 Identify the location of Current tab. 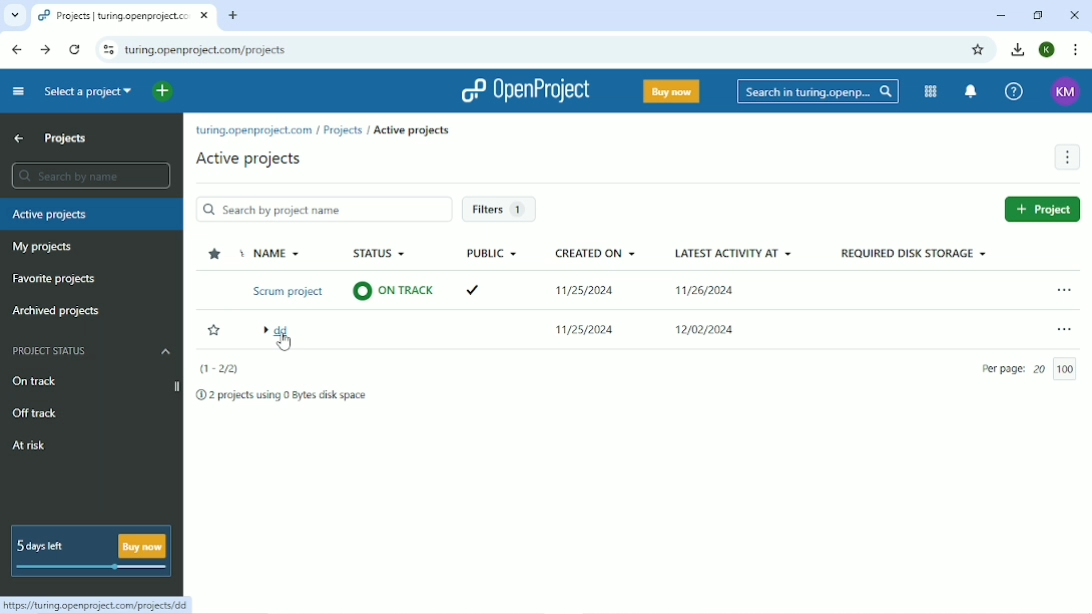
(124, 15).